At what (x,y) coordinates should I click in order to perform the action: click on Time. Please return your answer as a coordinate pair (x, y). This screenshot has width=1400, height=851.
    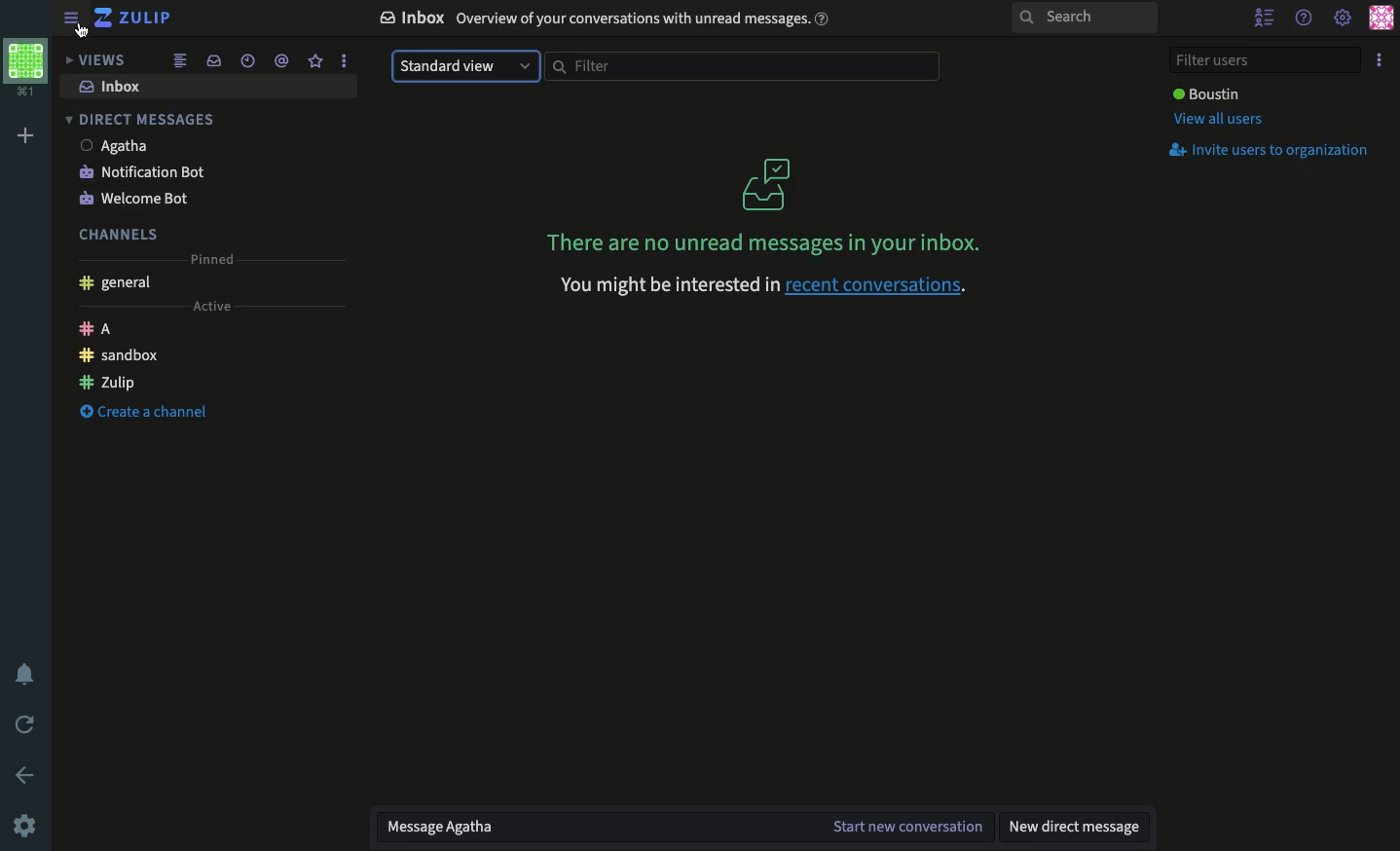
    Looking at the image, I should click on (249, 60).